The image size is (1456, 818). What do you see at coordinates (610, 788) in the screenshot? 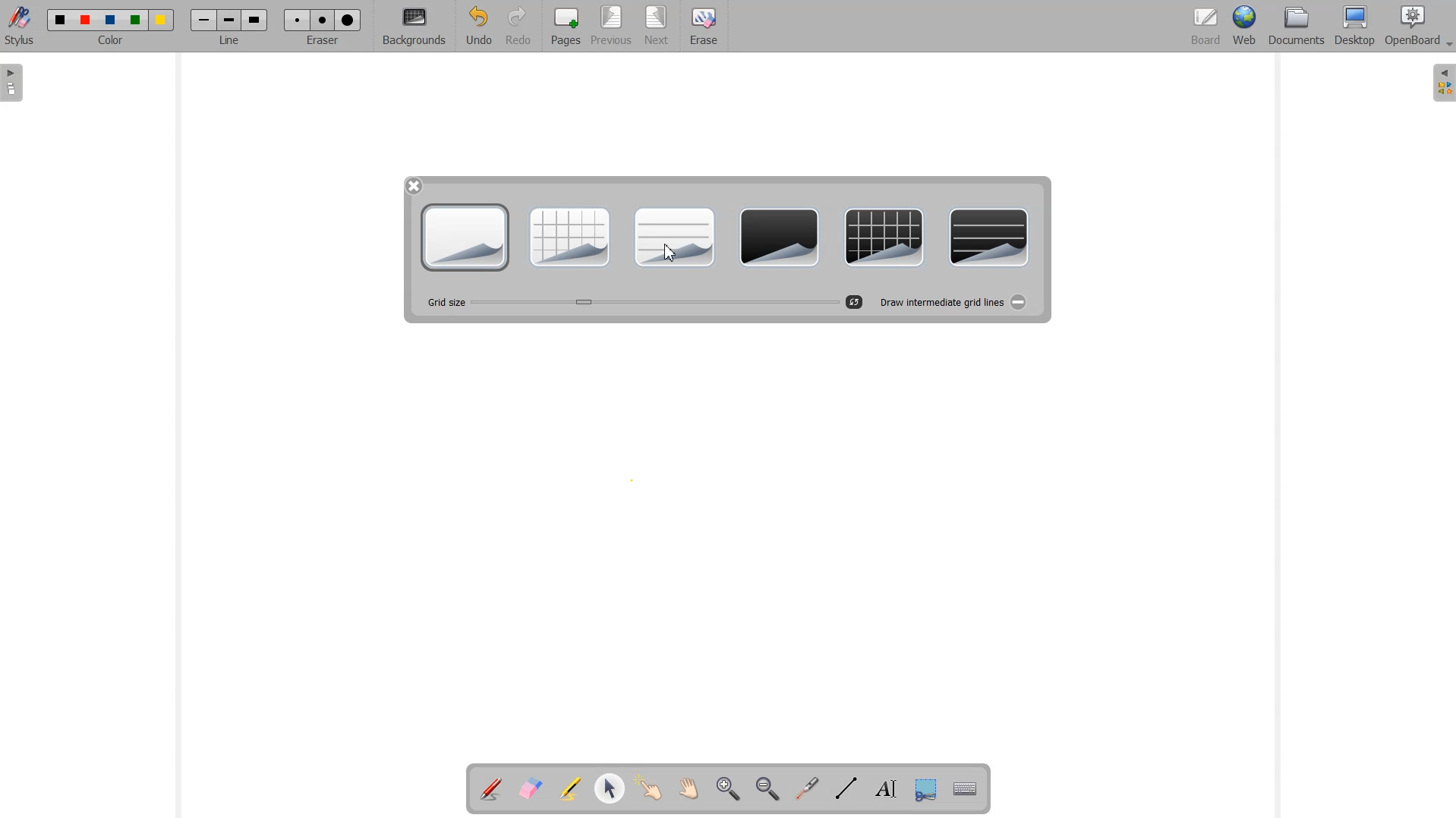
I see `Select and modify Object` at bounding box center [610, 788].